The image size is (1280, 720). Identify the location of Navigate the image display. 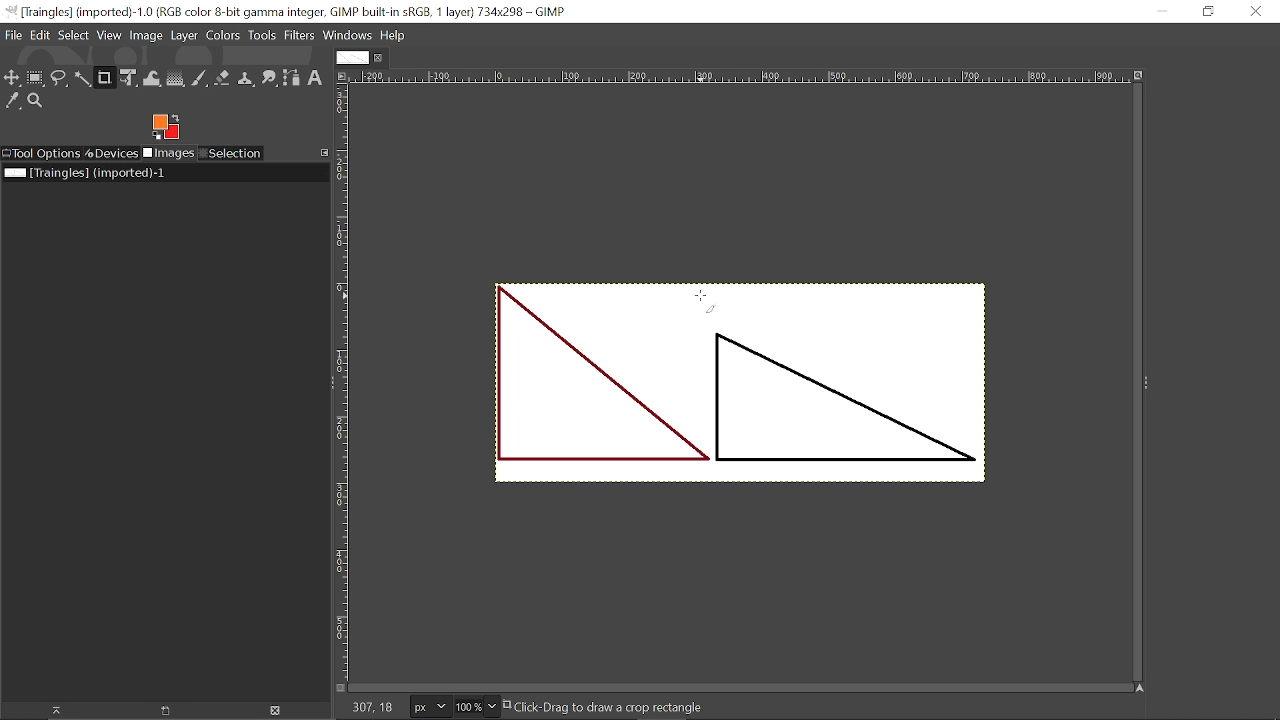
(1141, 688).